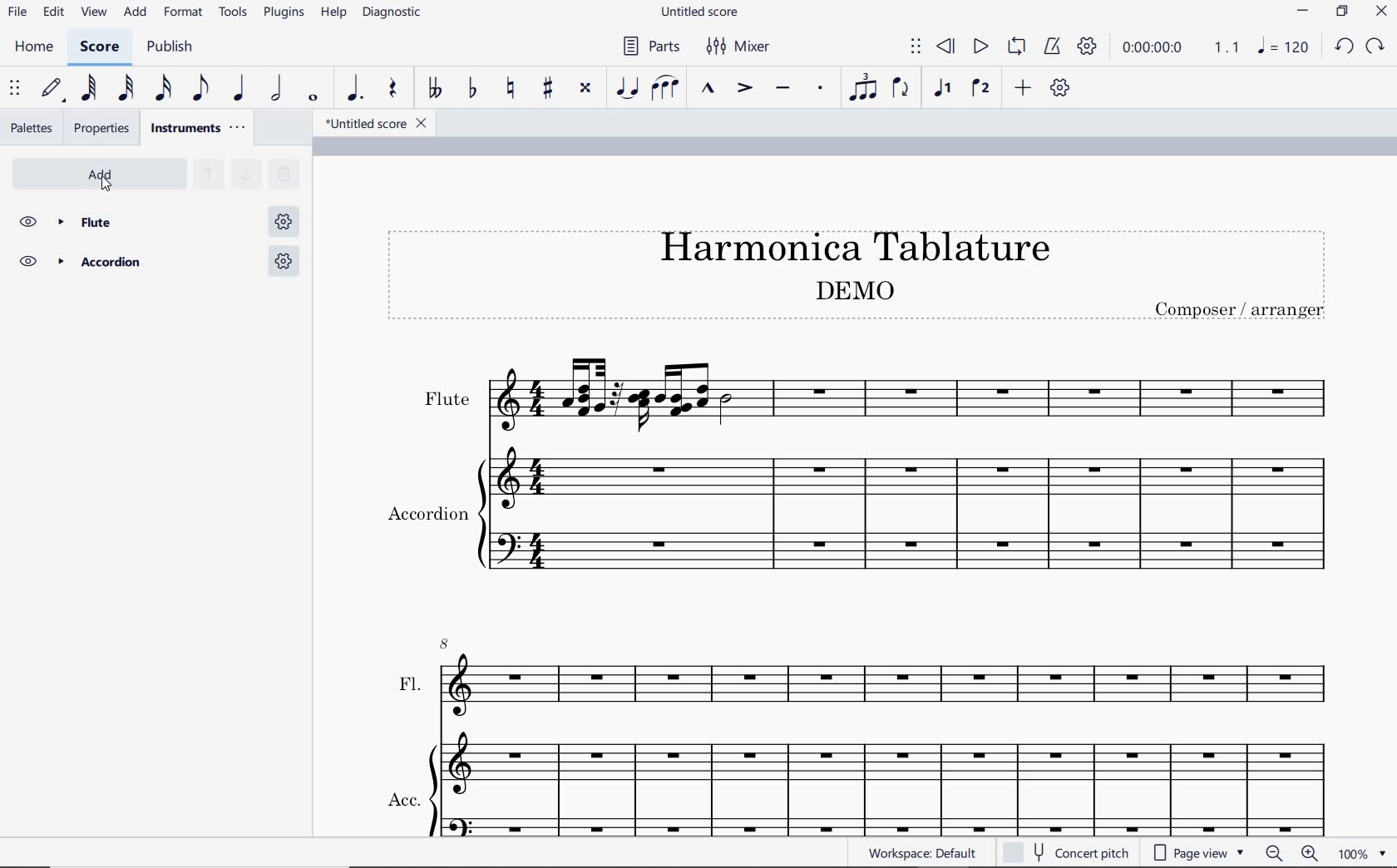  What do you see at coordinates (585, 91) in the screenshot?
I see `toggle double-sharp` at bounding box center [585, 91].